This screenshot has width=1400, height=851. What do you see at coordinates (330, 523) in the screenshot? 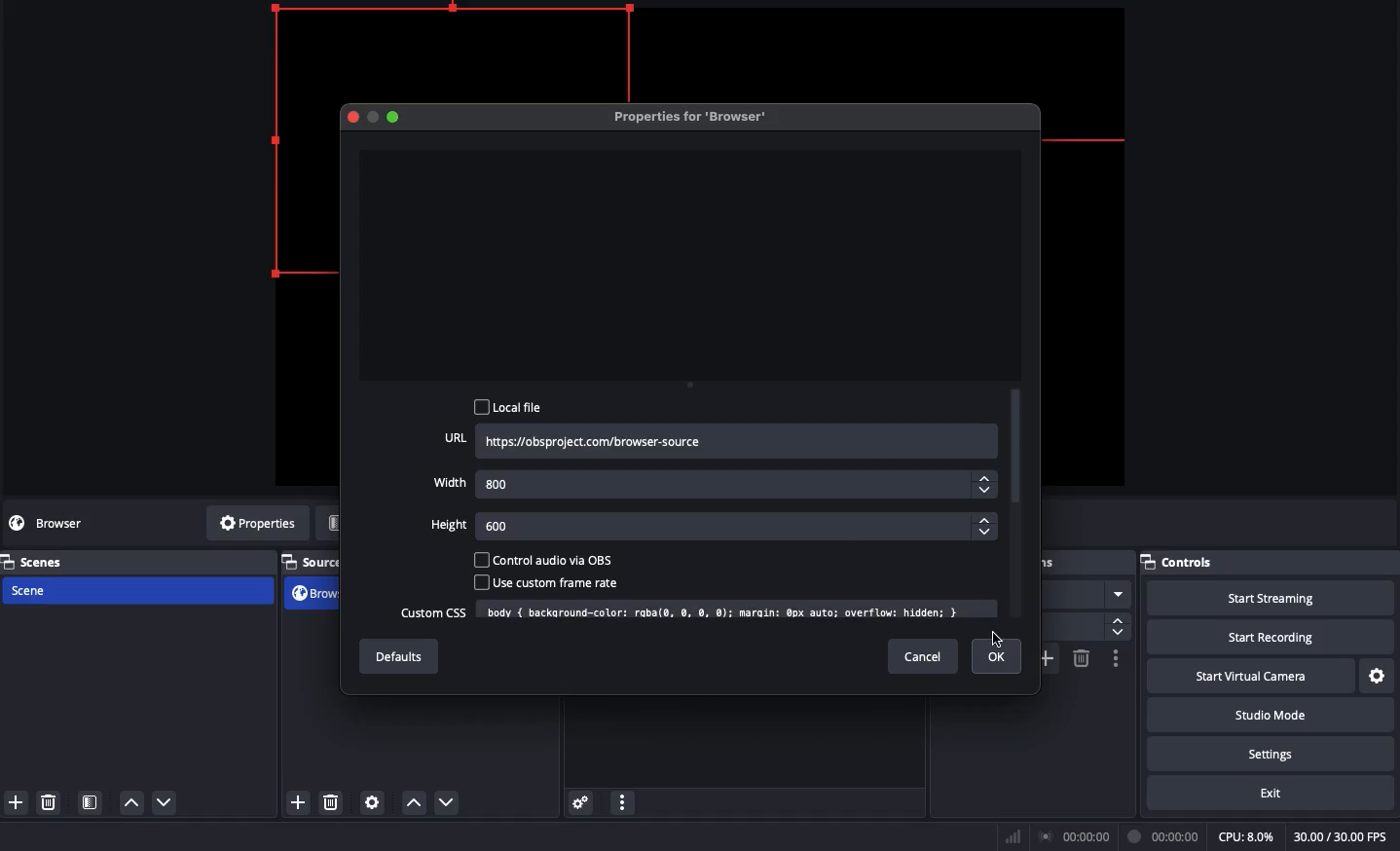
I see `Filters` at bounding box center [330, 523].